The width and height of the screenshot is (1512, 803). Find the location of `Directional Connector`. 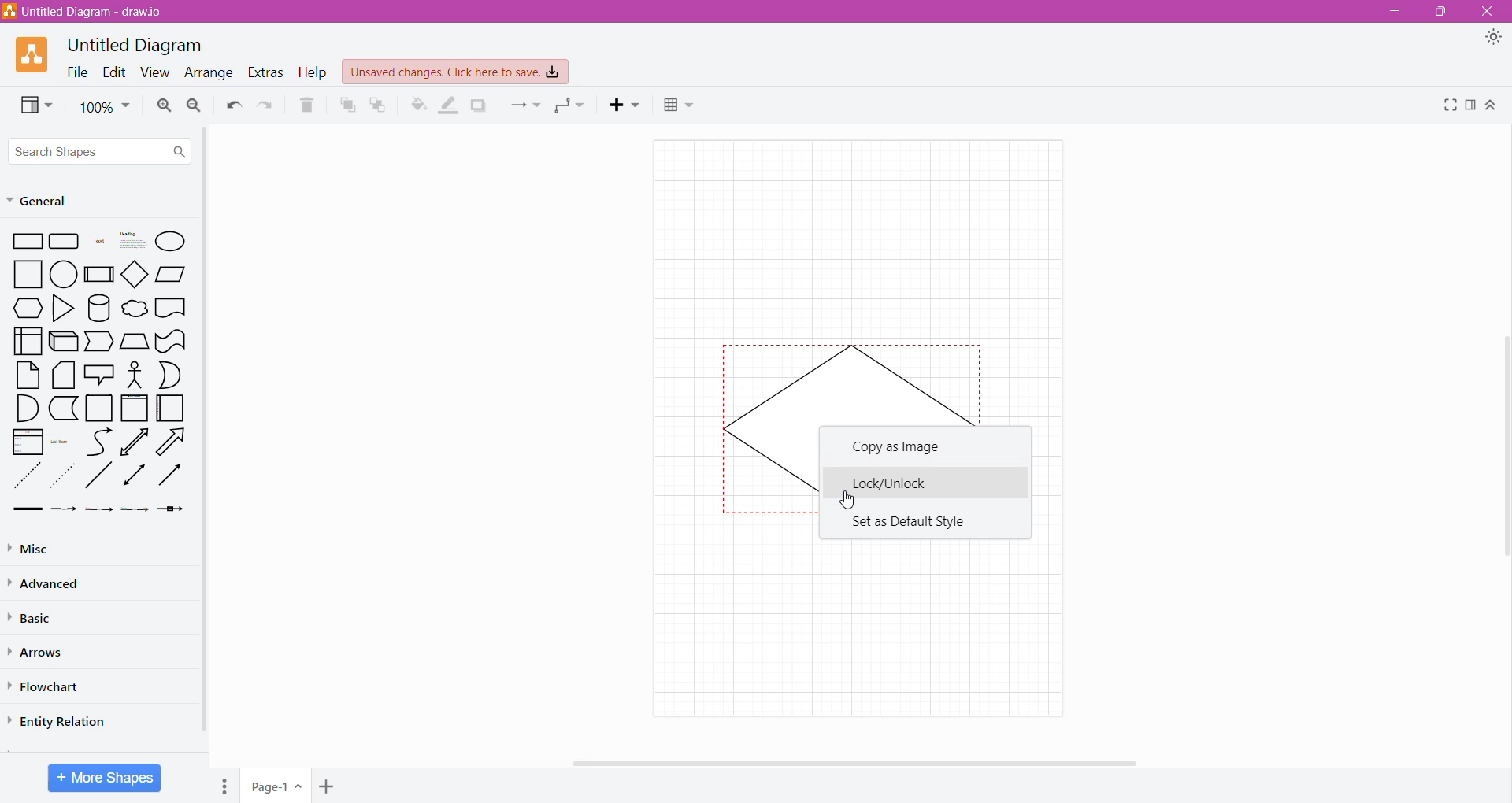

Directional Connector is located at coordinates (173, 479).